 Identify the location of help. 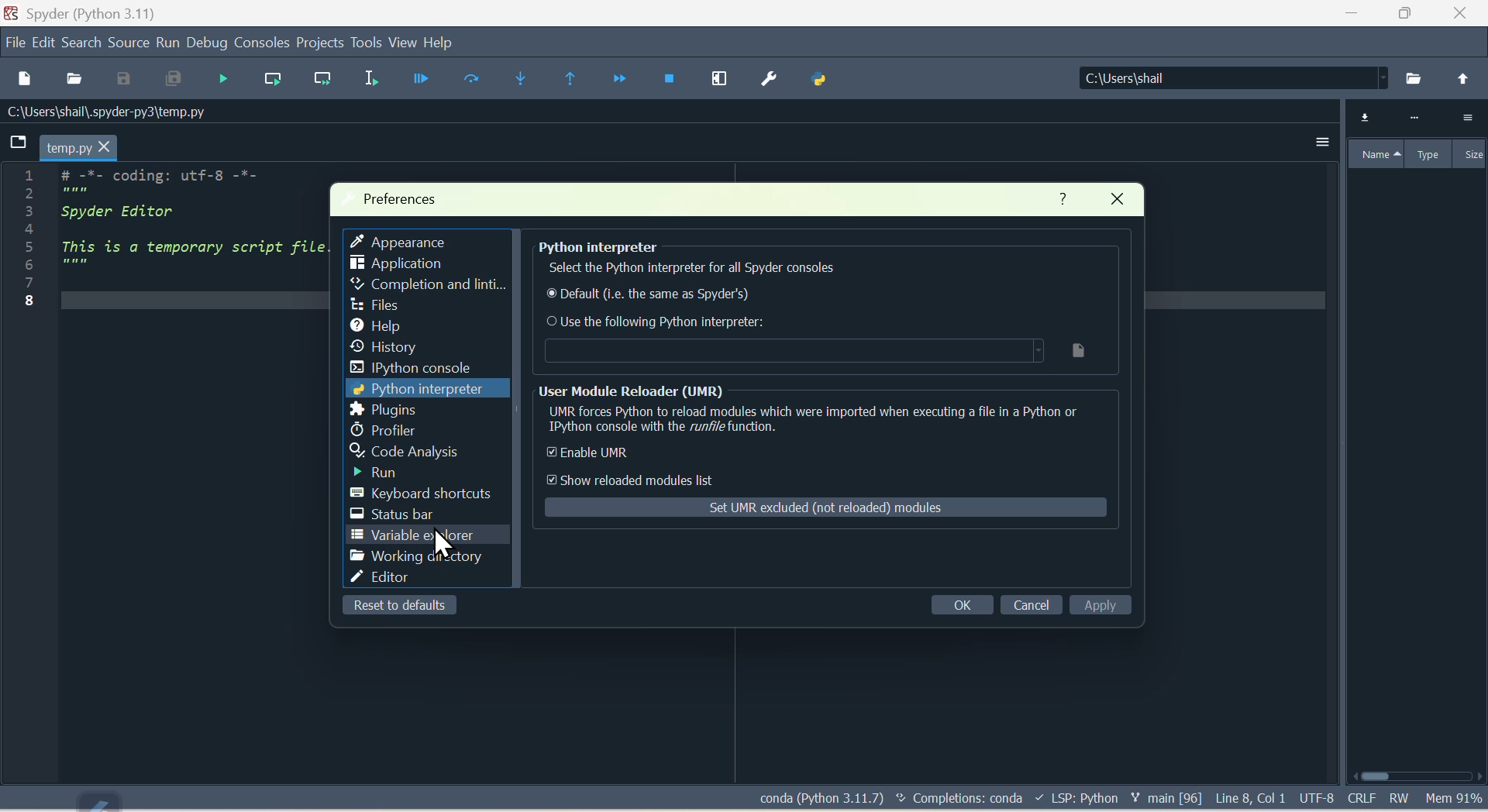
(377, 324).